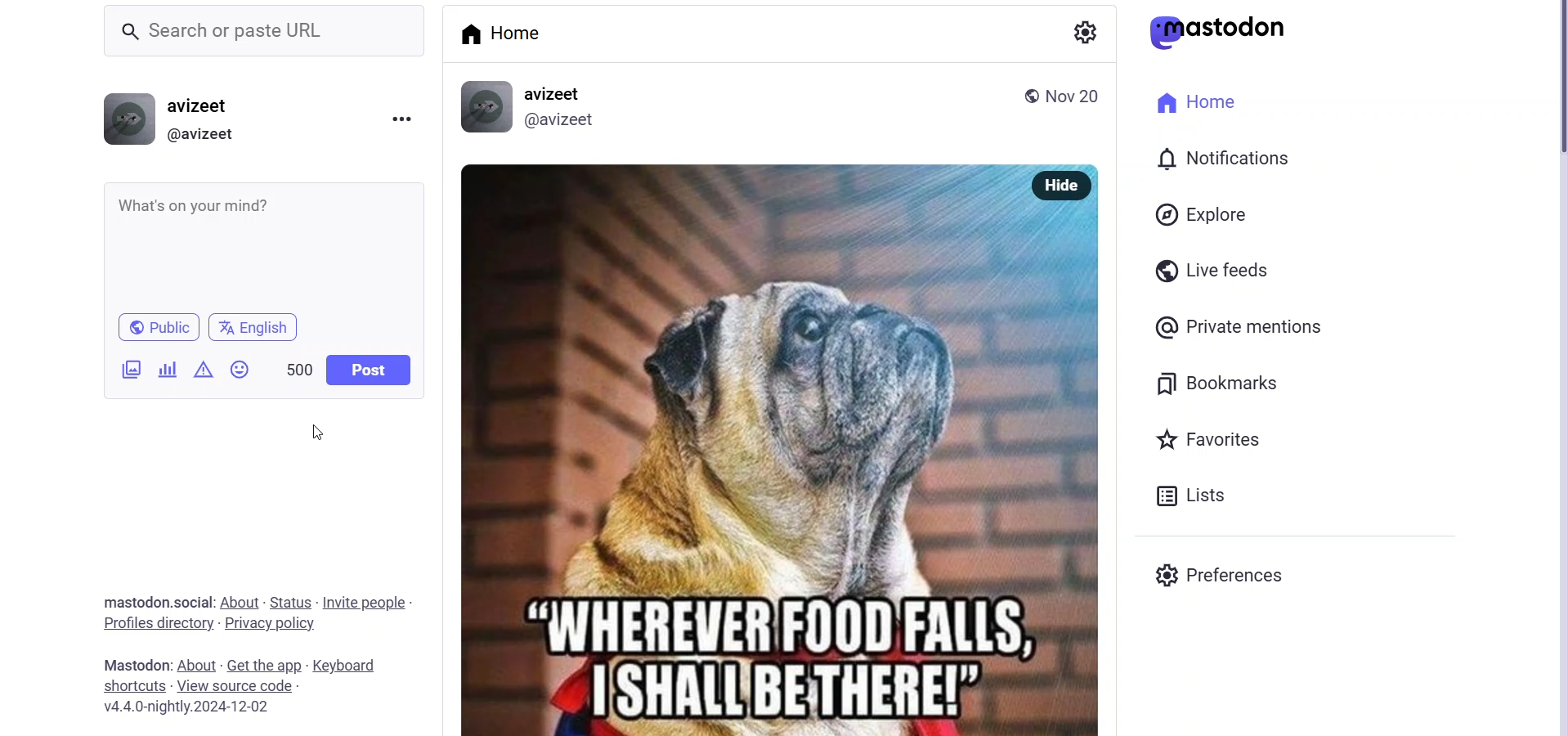  What do you see at coordinates (316, 432) in the screenshot?
I see `cursor` at bounding box center [316, 432].